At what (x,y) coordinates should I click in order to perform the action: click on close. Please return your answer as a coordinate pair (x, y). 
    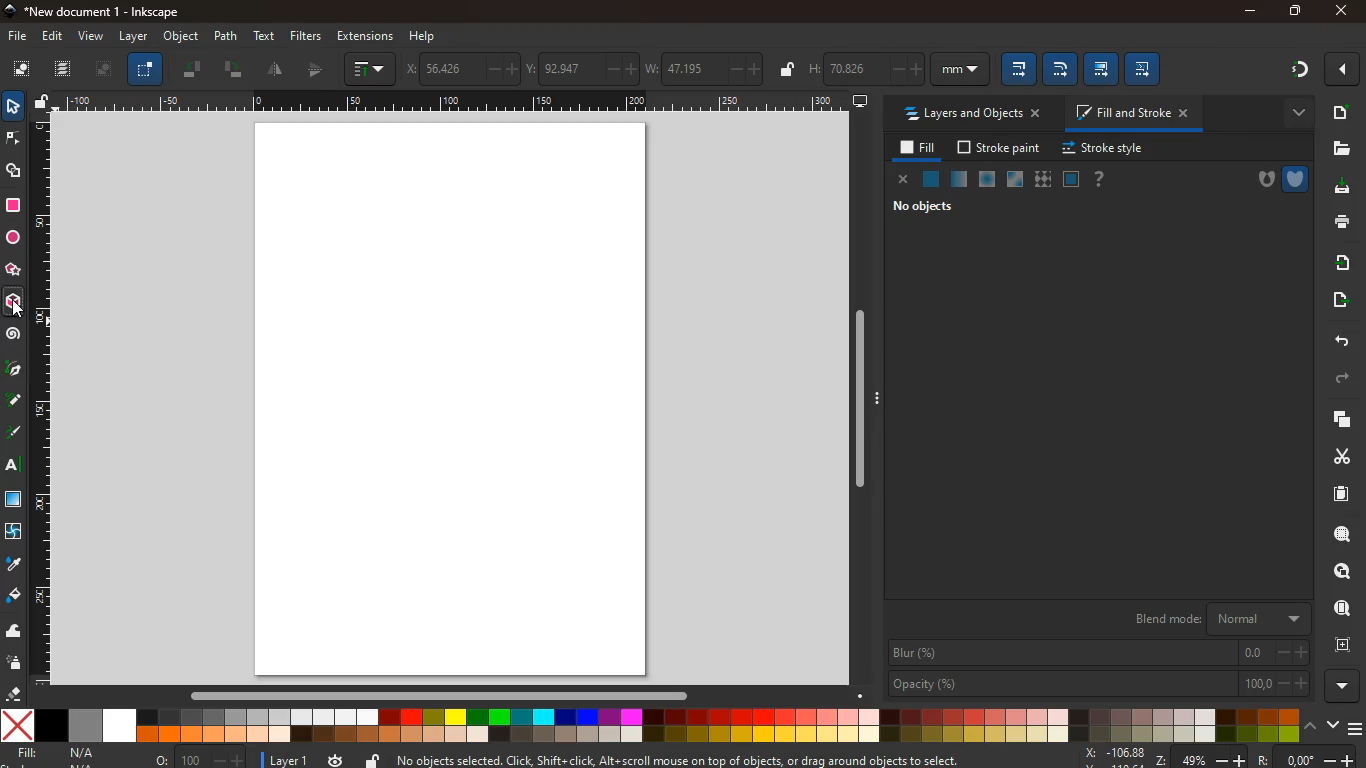
    Looking at the image, I should click on (903, 180).